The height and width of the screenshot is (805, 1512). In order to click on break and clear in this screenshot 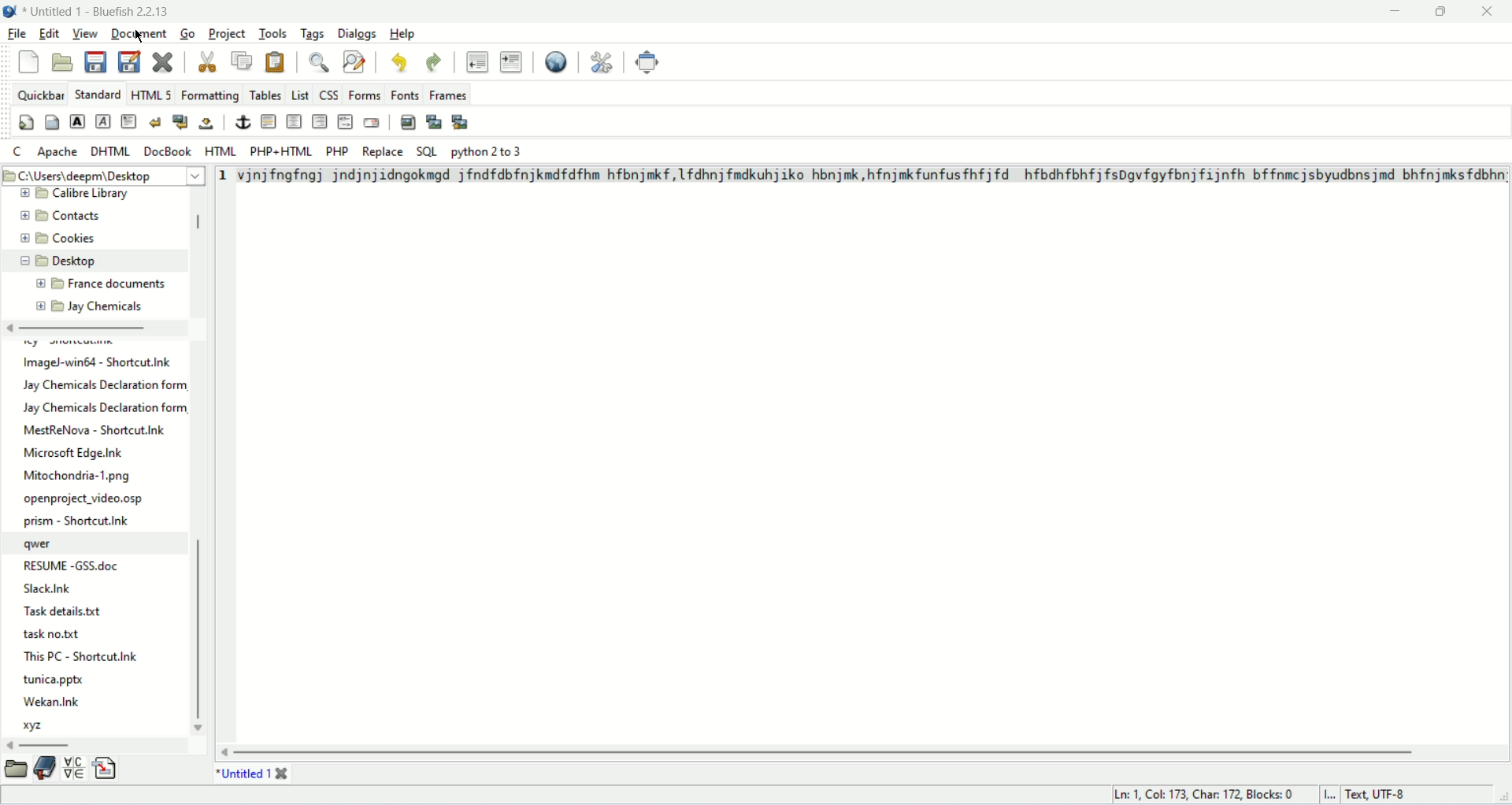, I will do `click(180, 121)`.